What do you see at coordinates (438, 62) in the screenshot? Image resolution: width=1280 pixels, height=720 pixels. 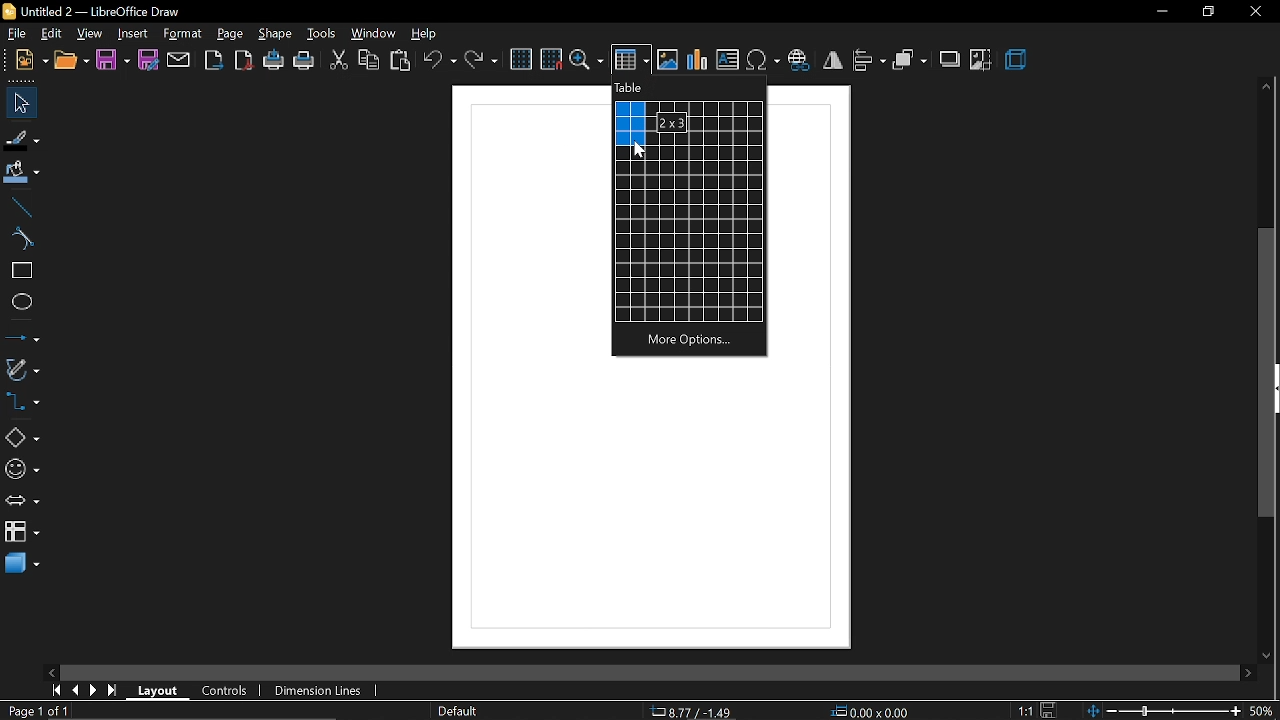 I see `undo` at bounding box center [438, 62].